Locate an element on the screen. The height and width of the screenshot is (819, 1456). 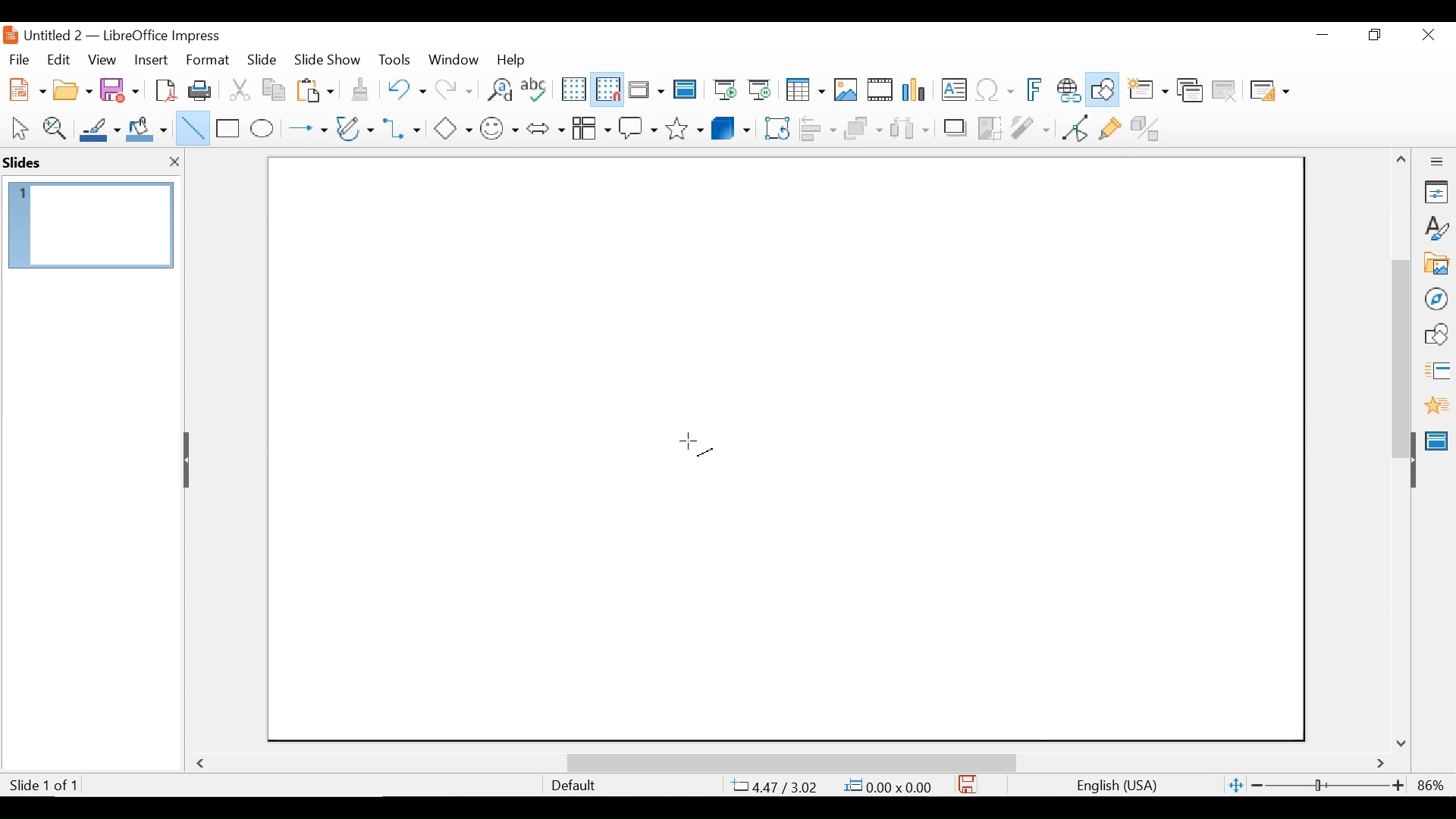
Spelling is located at coordinates (536, 89).